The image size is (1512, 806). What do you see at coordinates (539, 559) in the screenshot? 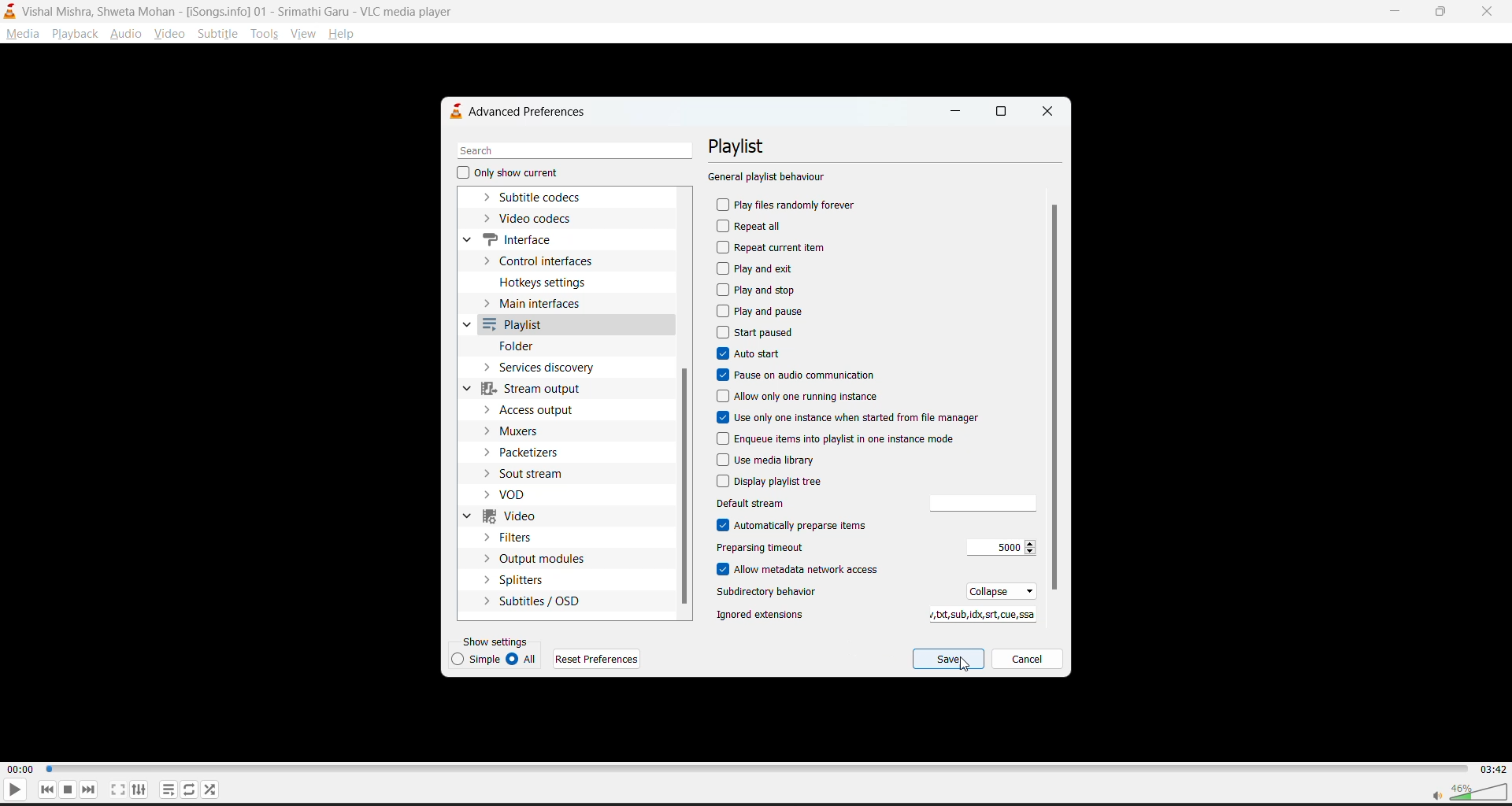
I see `output modules` at bounding box center [539, 559].